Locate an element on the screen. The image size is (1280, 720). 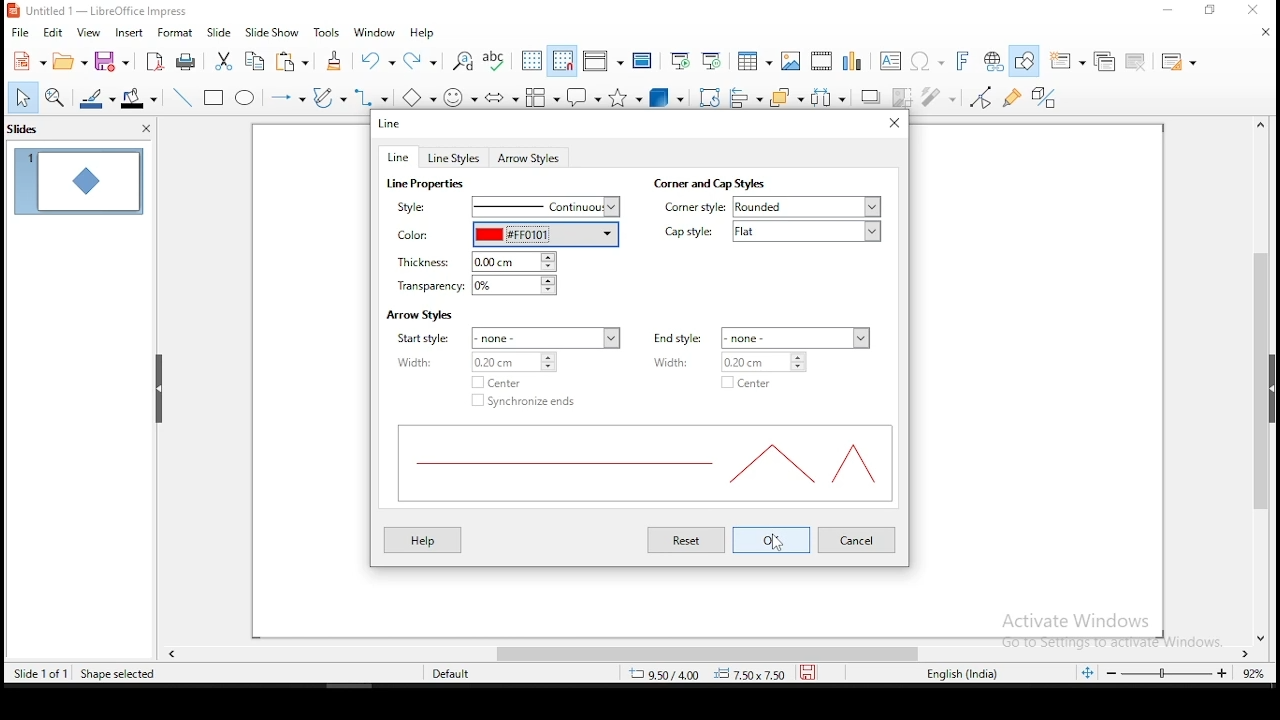
edit is located at coordinates (51, 32).